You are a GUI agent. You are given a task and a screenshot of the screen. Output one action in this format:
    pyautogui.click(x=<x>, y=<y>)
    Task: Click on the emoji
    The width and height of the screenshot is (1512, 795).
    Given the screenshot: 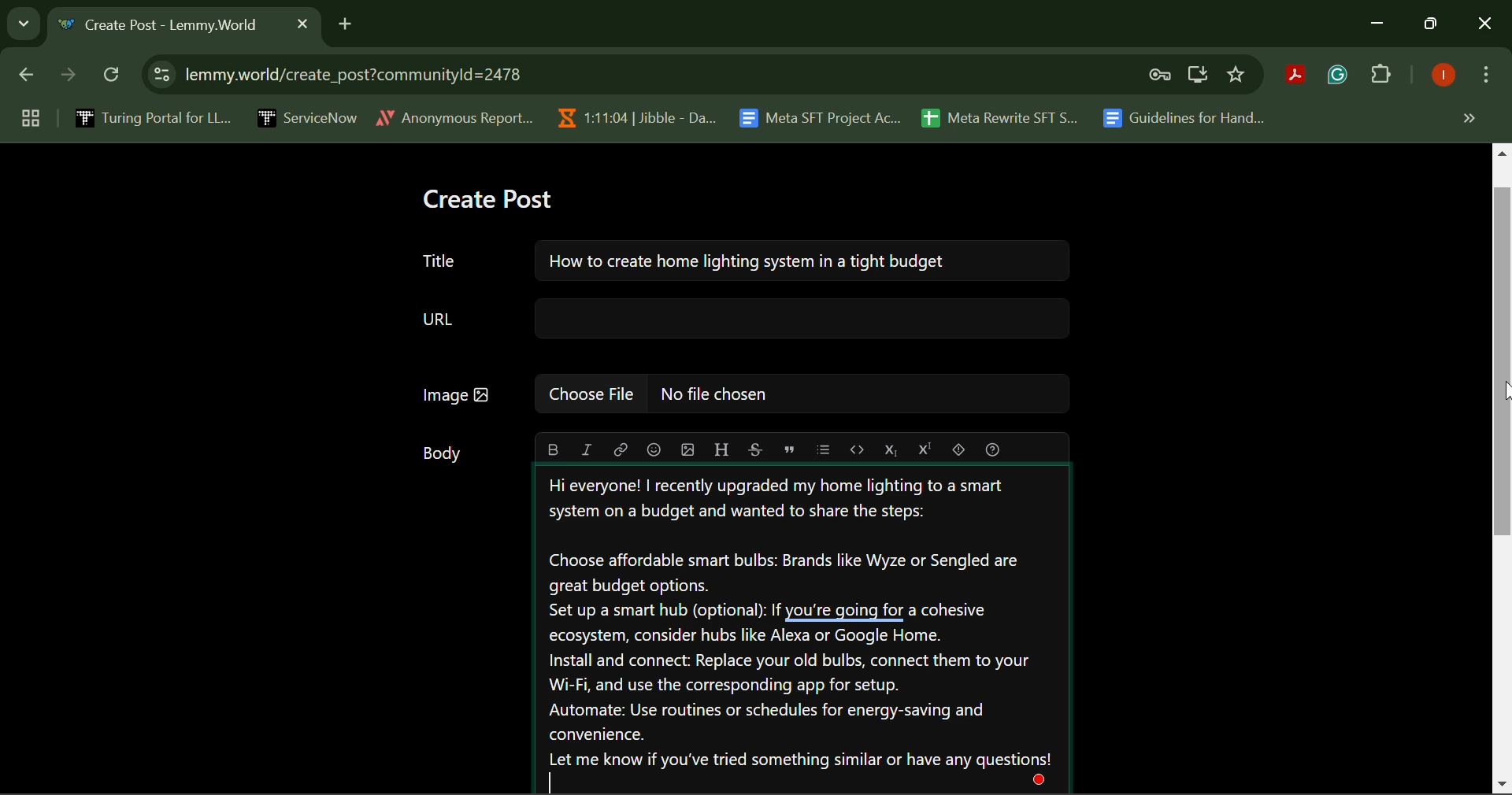 What is the action you would take?
    pyautogui.click(x=653, y=449)
    